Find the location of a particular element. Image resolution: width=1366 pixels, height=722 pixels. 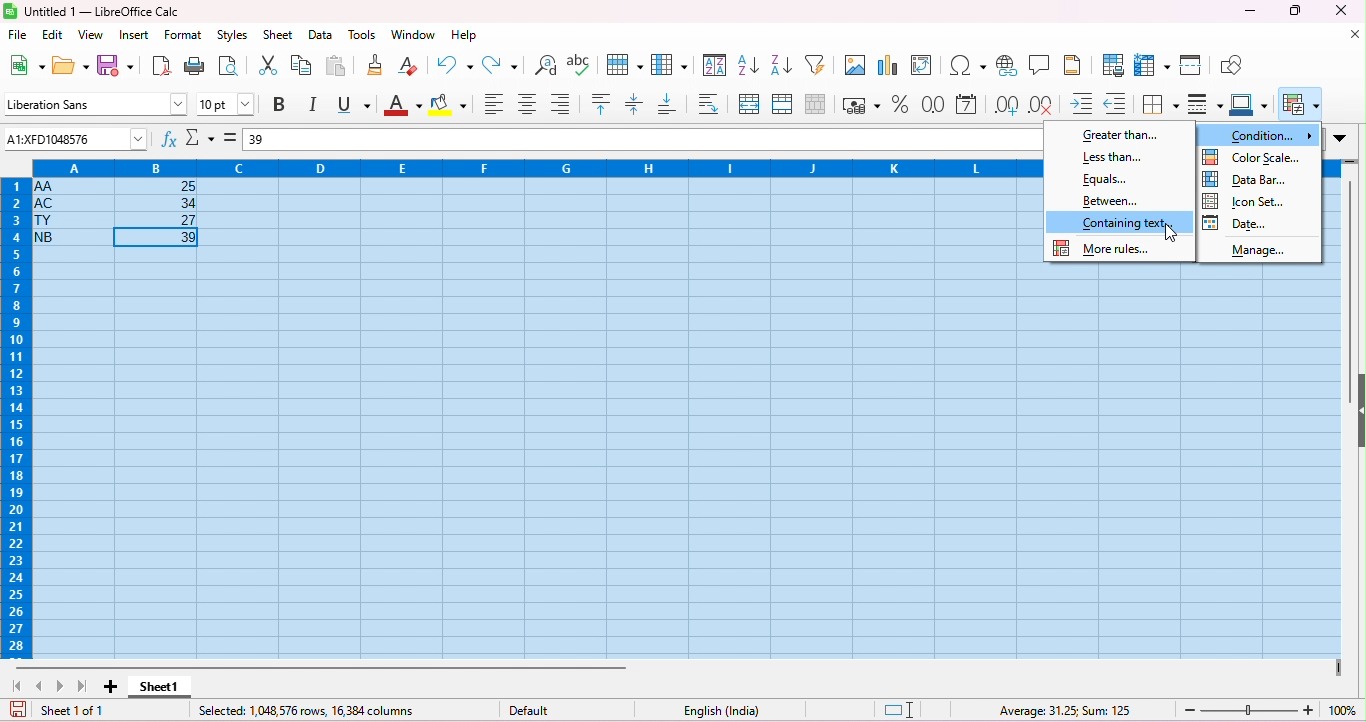

selected cell number is located at coordinates (77, 138).